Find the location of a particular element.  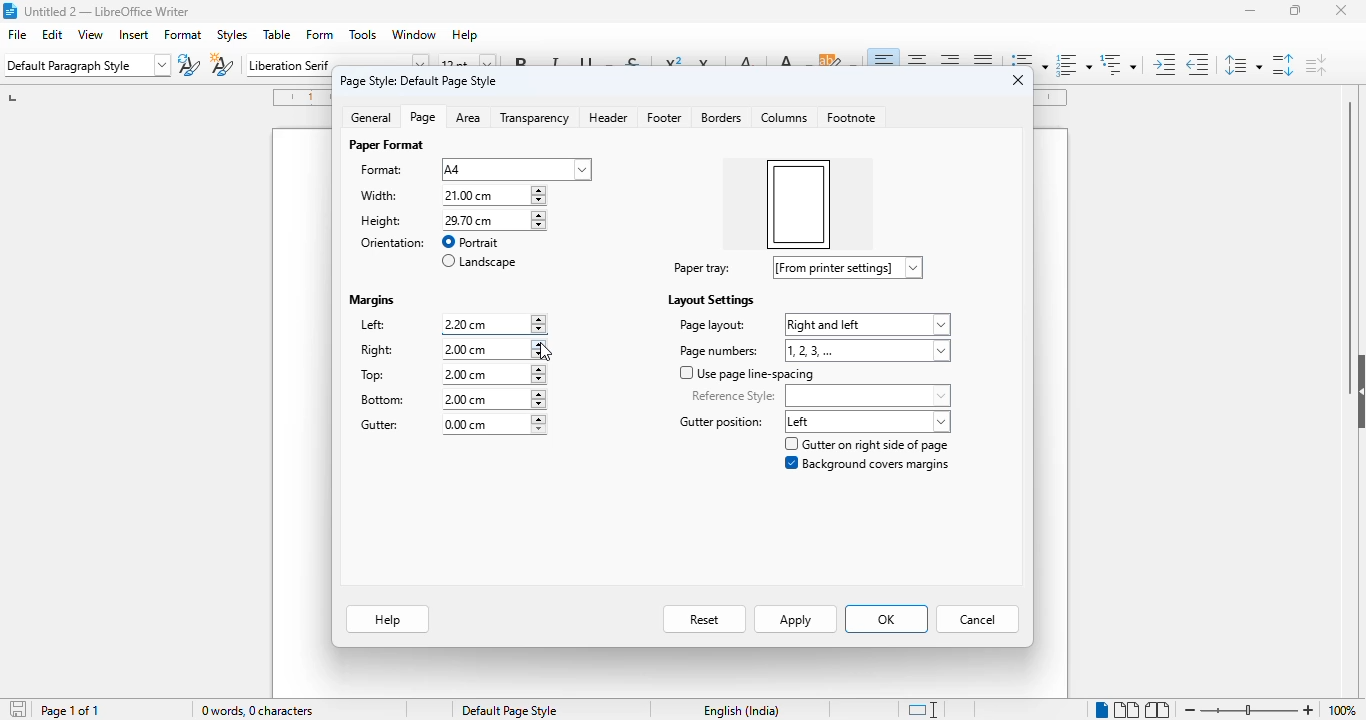

standard selection is located at coordinates (922, 710).